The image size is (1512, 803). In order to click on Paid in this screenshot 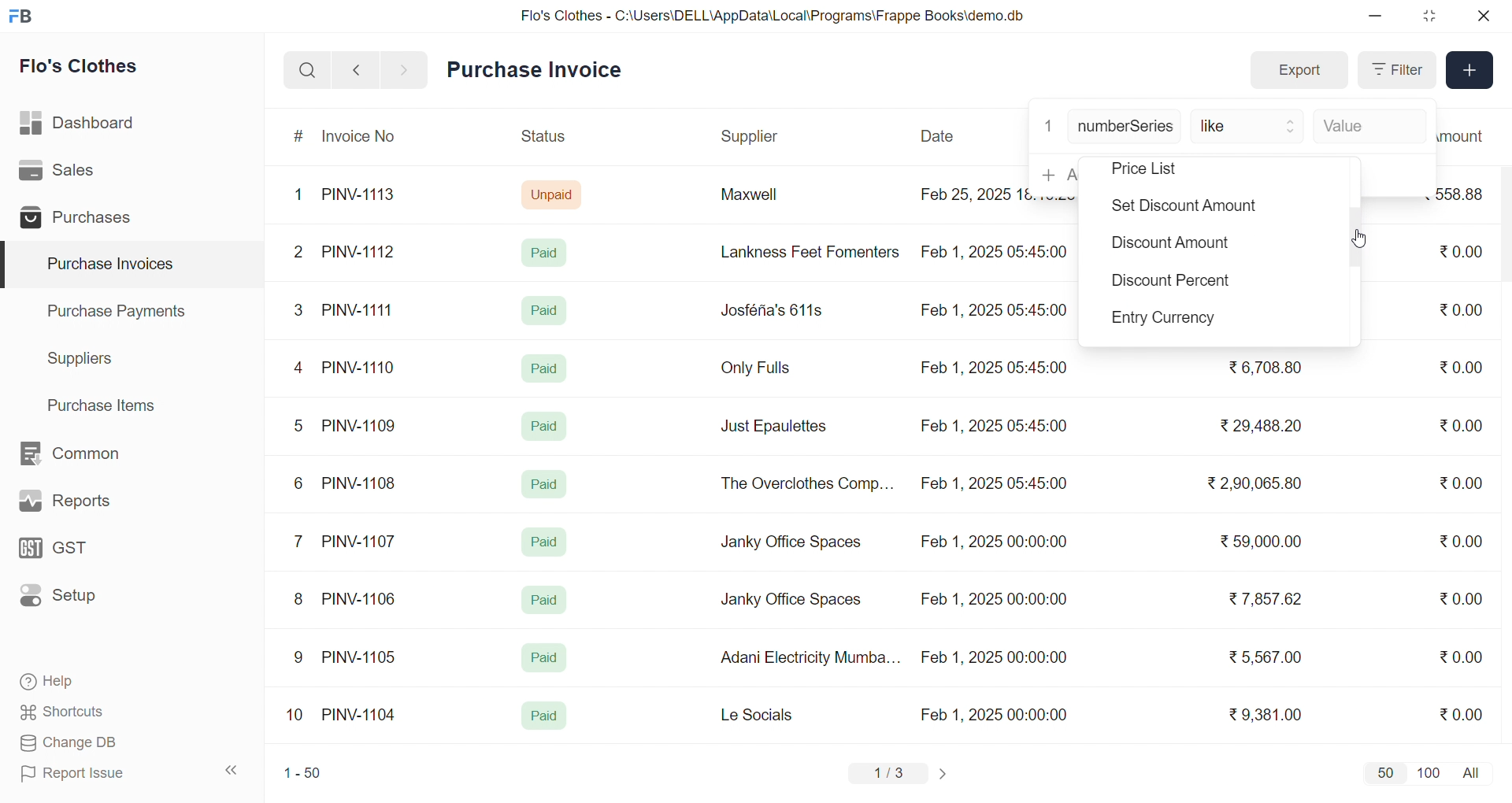, I will do `click(545, 542)`.